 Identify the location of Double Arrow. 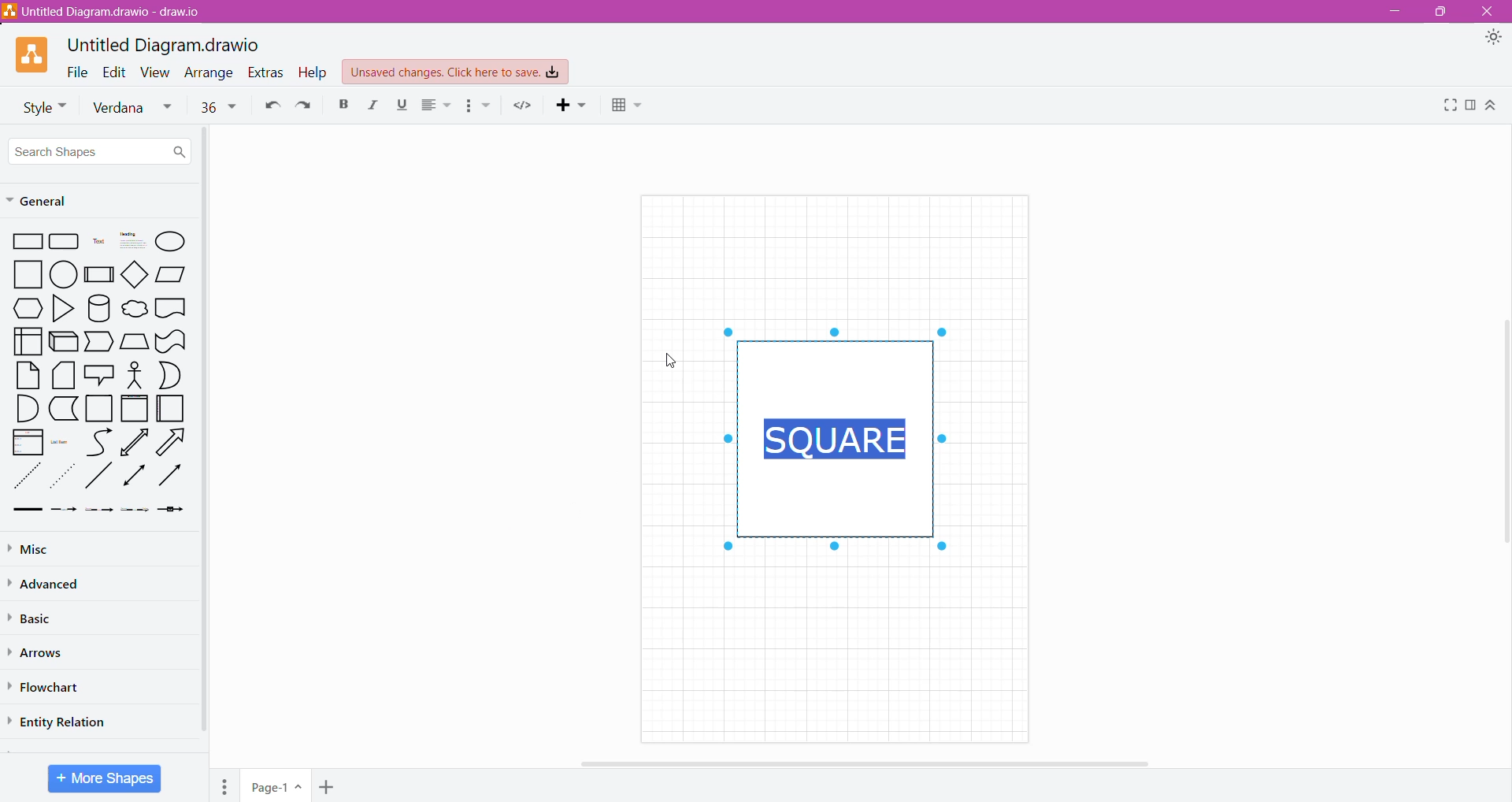
(132, 477).